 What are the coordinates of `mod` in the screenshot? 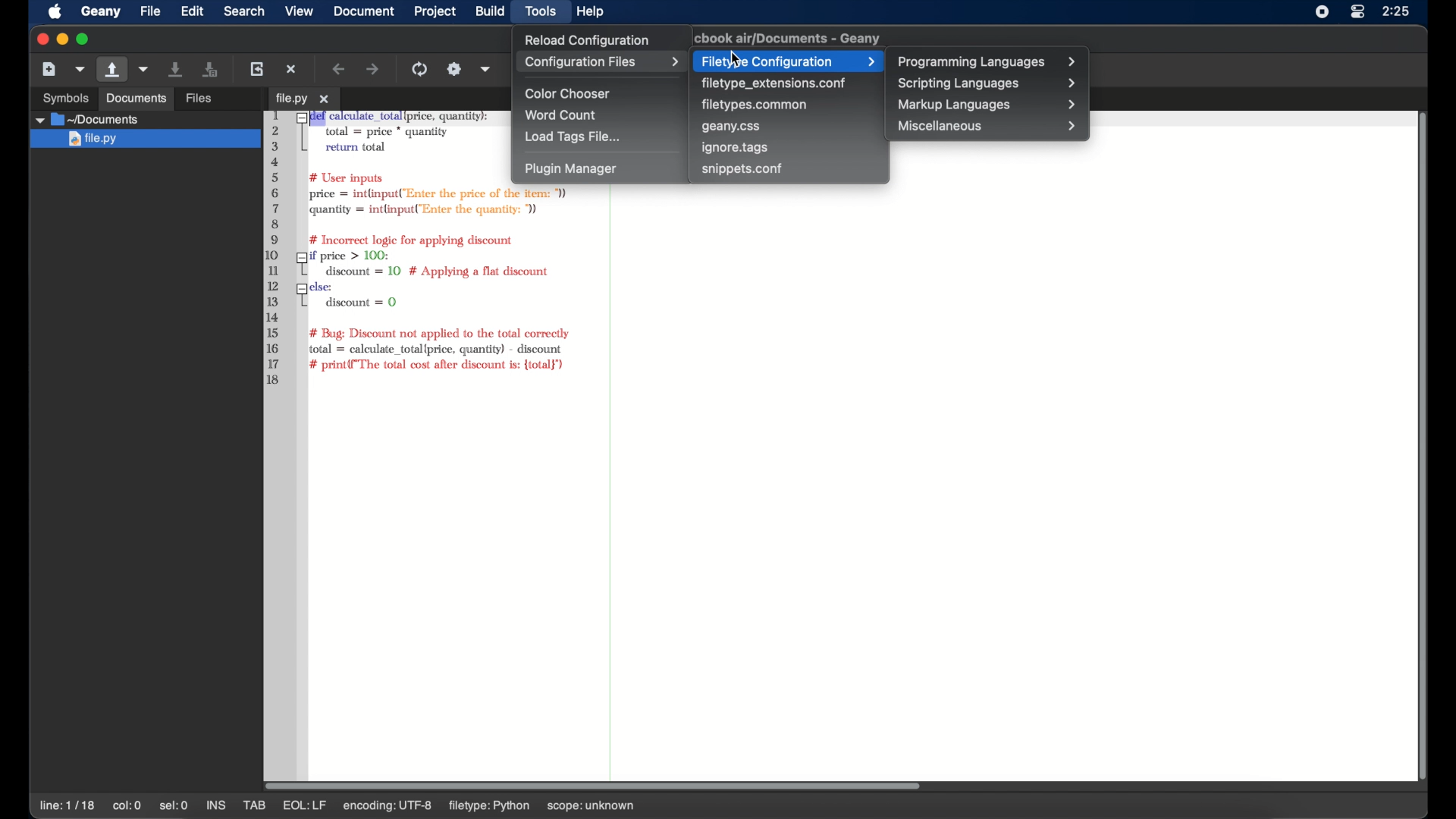 It's located at (297, 805).